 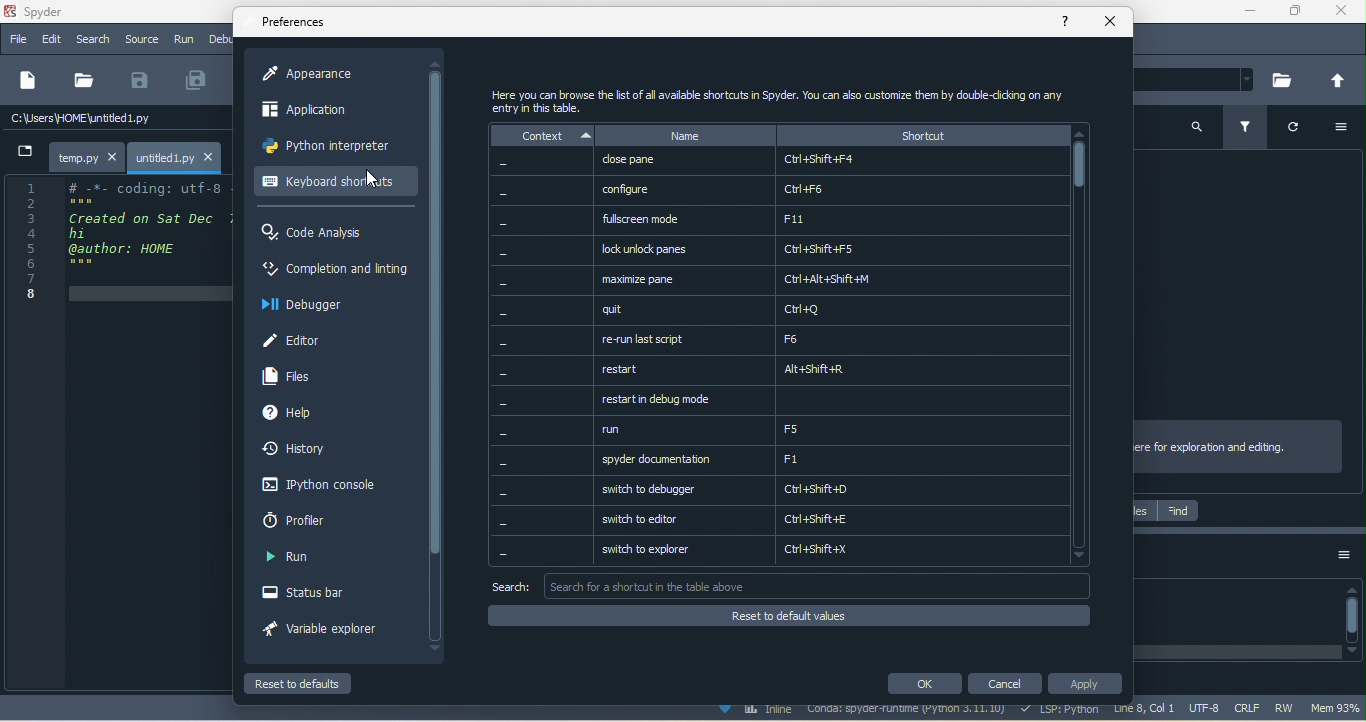 What do you see at coordinates (1286, 80) in the screenshot?
I see `browse` at bounding box center [1286, 80].